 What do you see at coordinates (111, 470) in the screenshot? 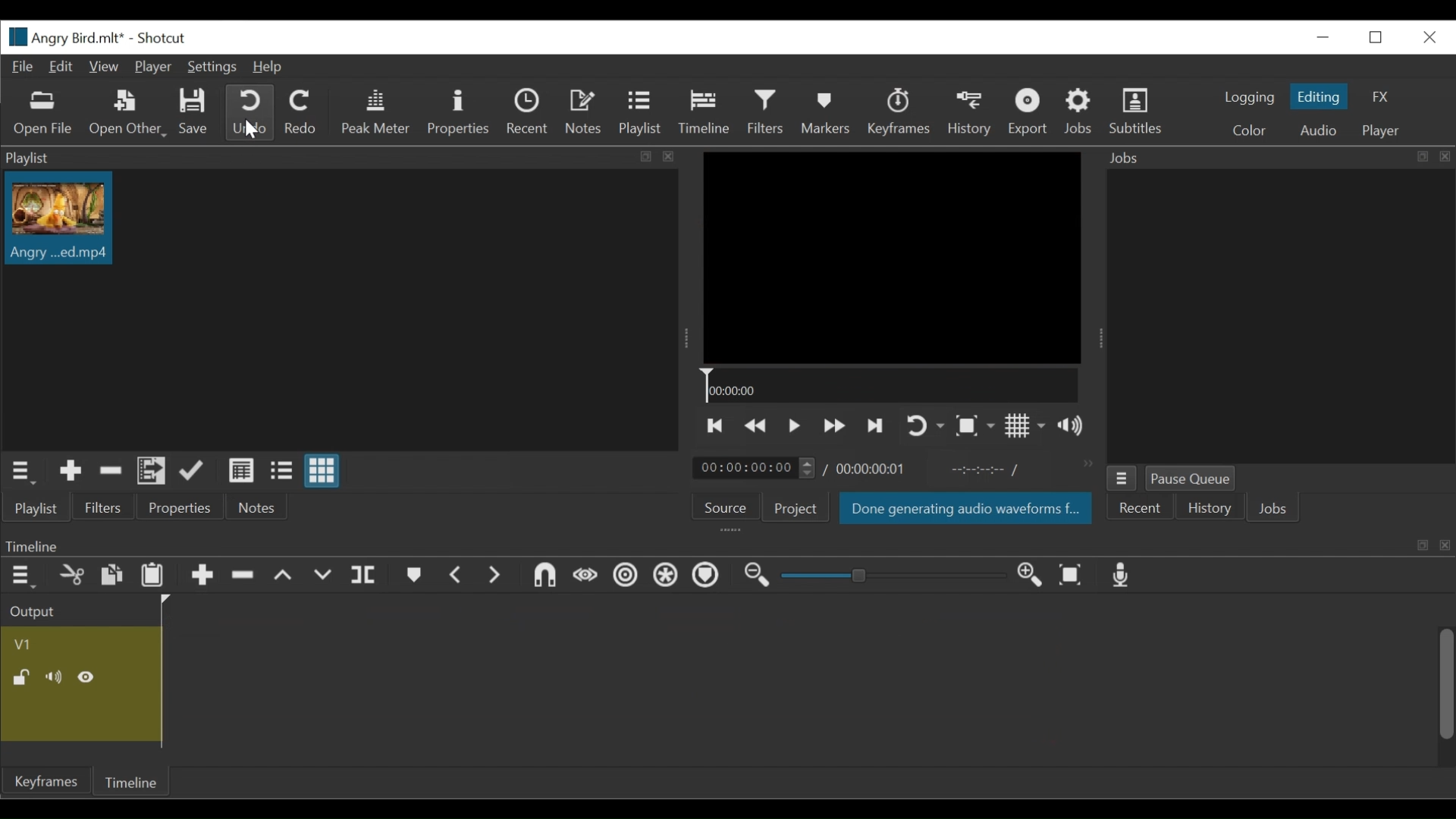
I see `Remove cut` at bounding box center [111, 470].